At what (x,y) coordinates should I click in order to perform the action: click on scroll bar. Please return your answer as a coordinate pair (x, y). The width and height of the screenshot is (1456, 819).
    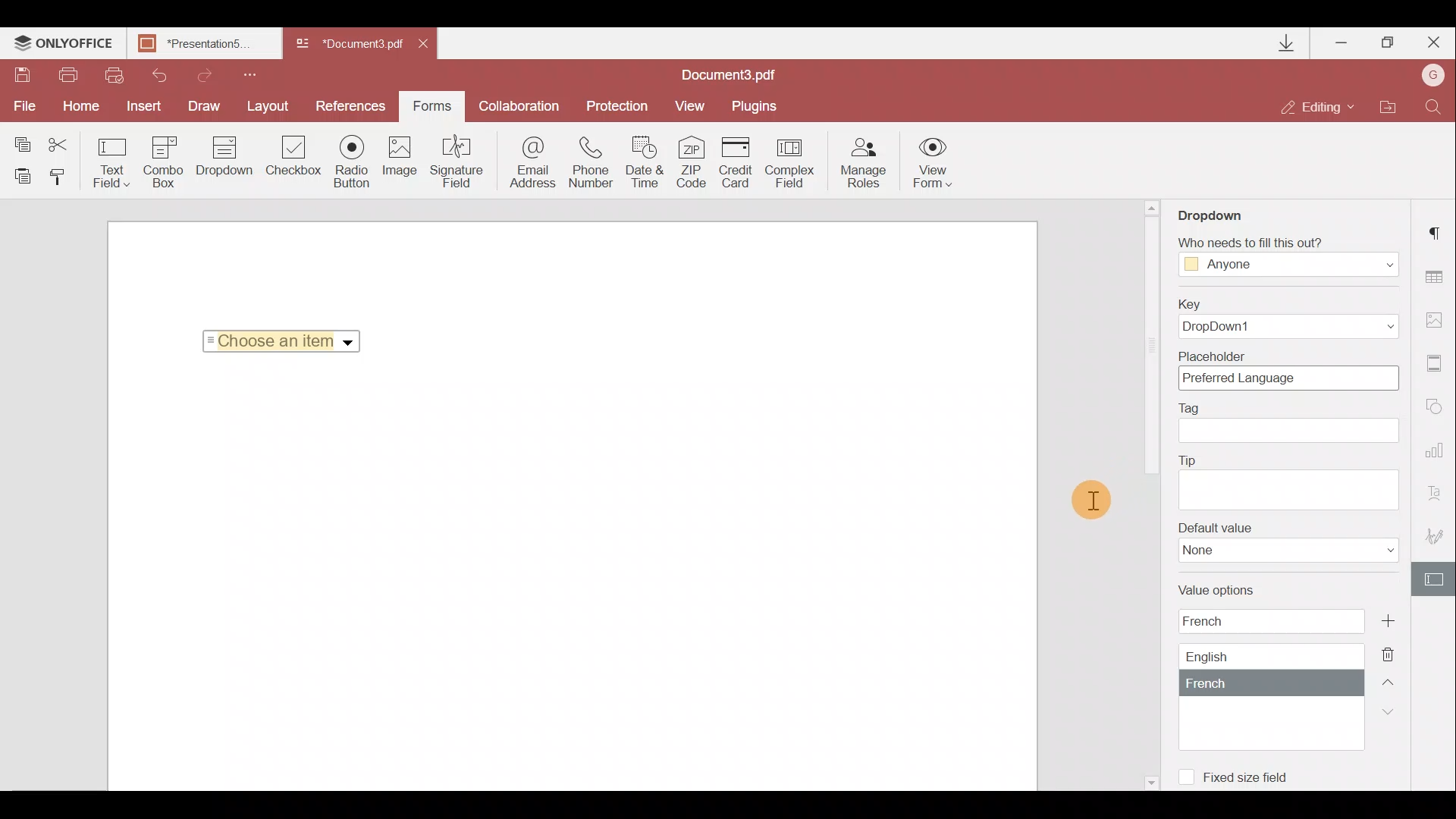
    Looking at the image, I should click on (1150, 348).